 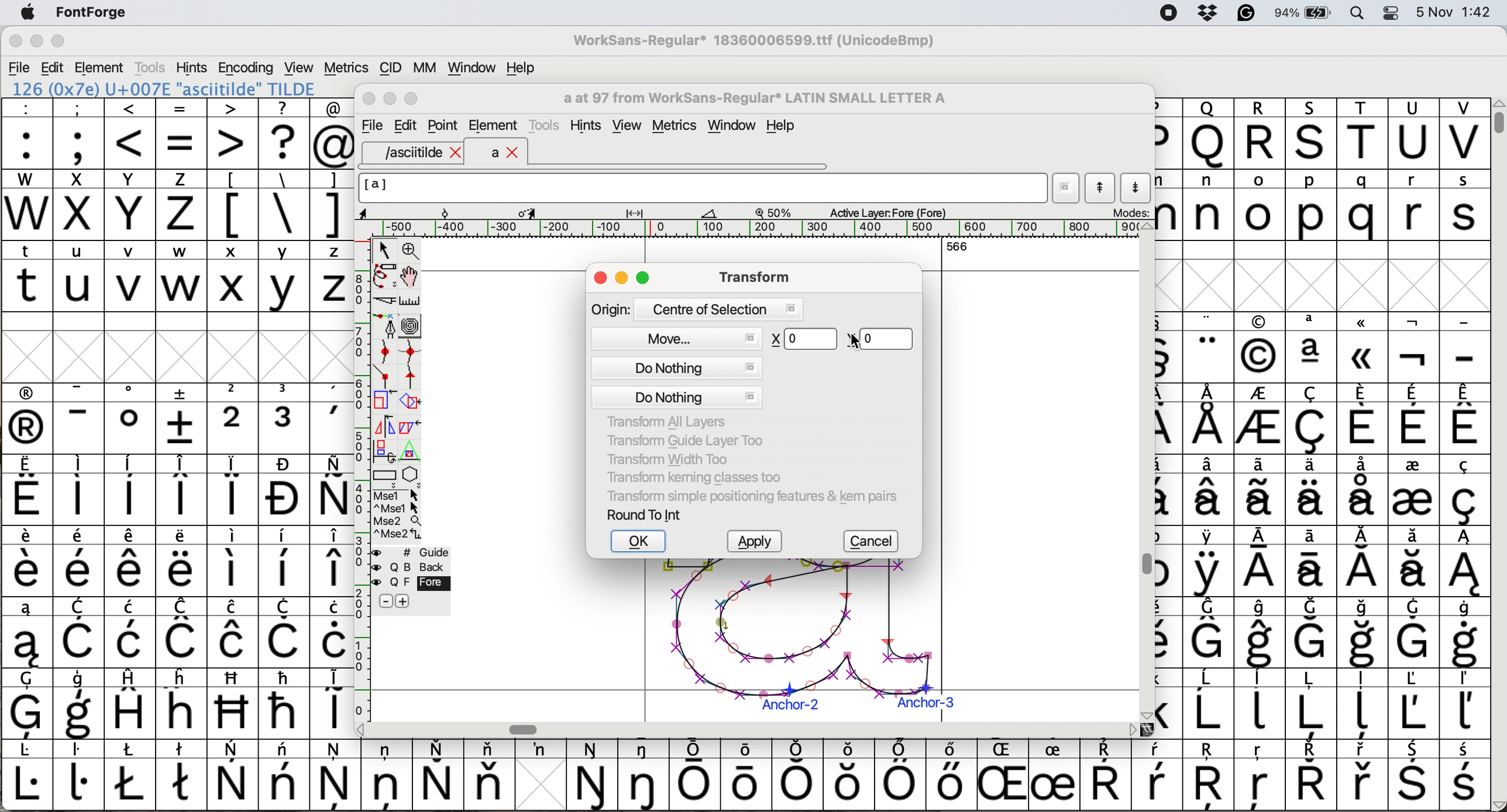 I want to click on symbol, so click(x=1364, y=488).